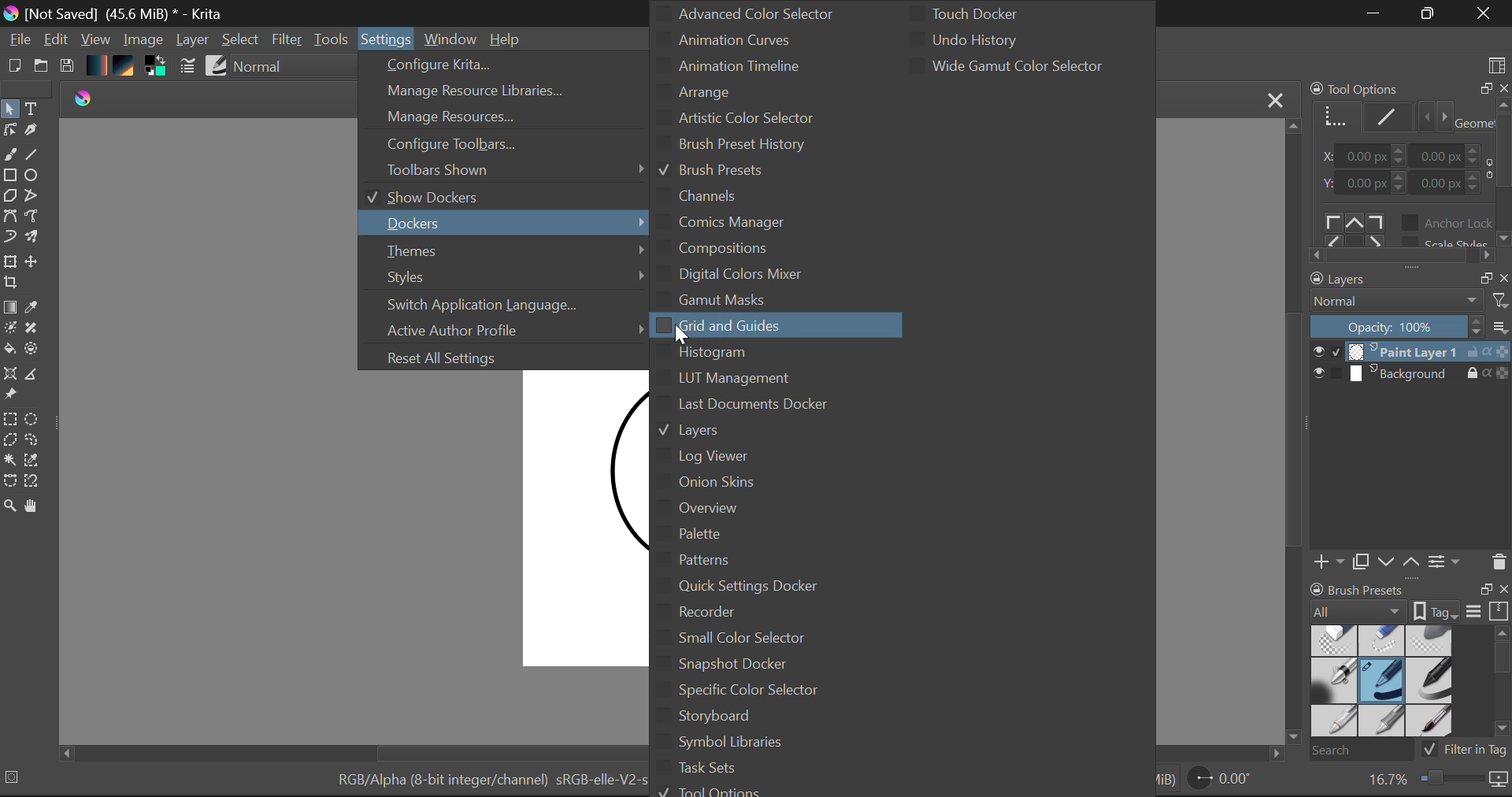 Image resolution: width=1512 pixels, height=797 pixels. Describe the element at coordinates (762, 693) in the screenshot. I see `Specific Color Selector` at that location.